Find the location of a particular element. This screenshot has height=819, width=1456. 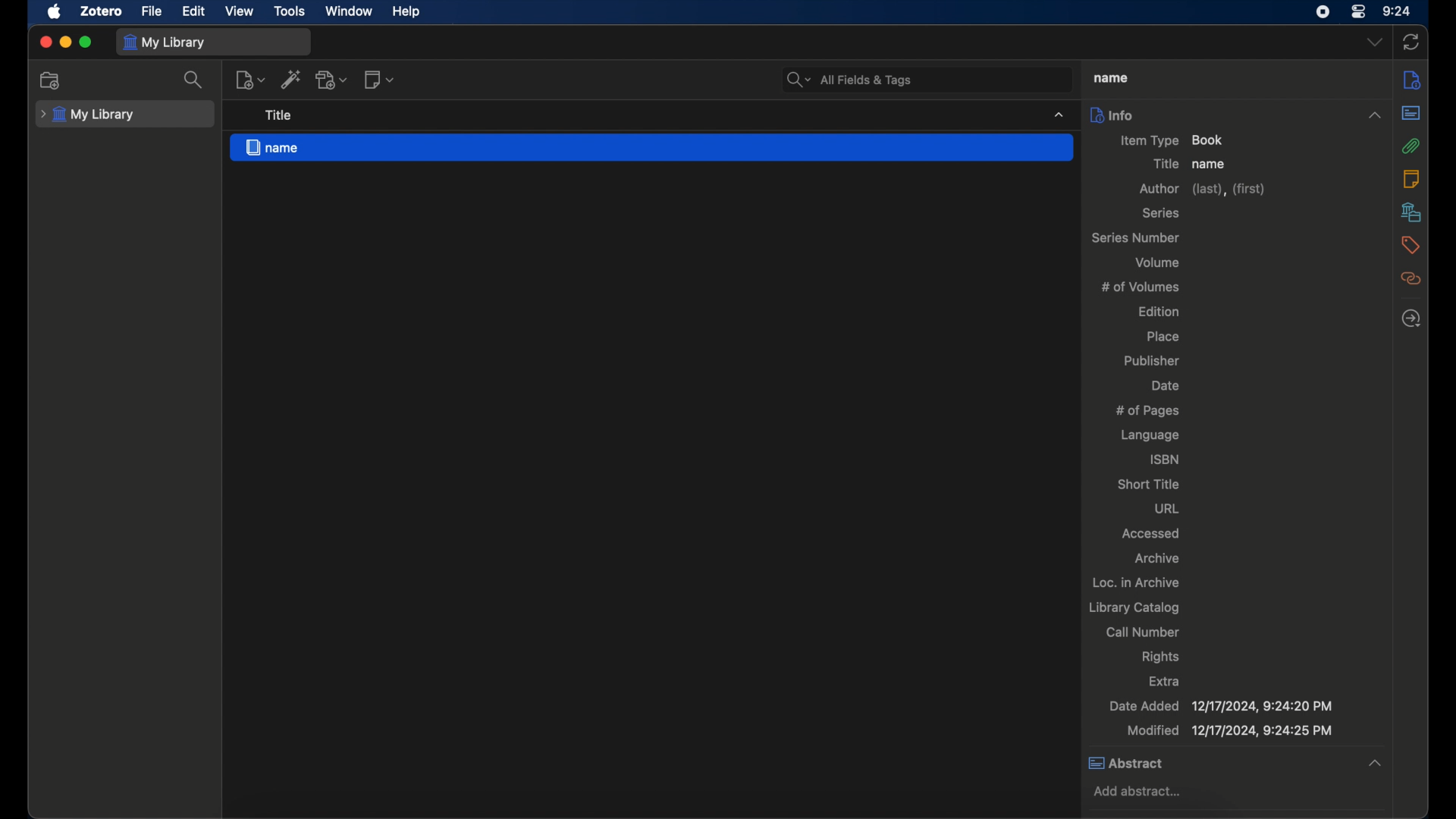

info is located at coordinates (1412, 80).